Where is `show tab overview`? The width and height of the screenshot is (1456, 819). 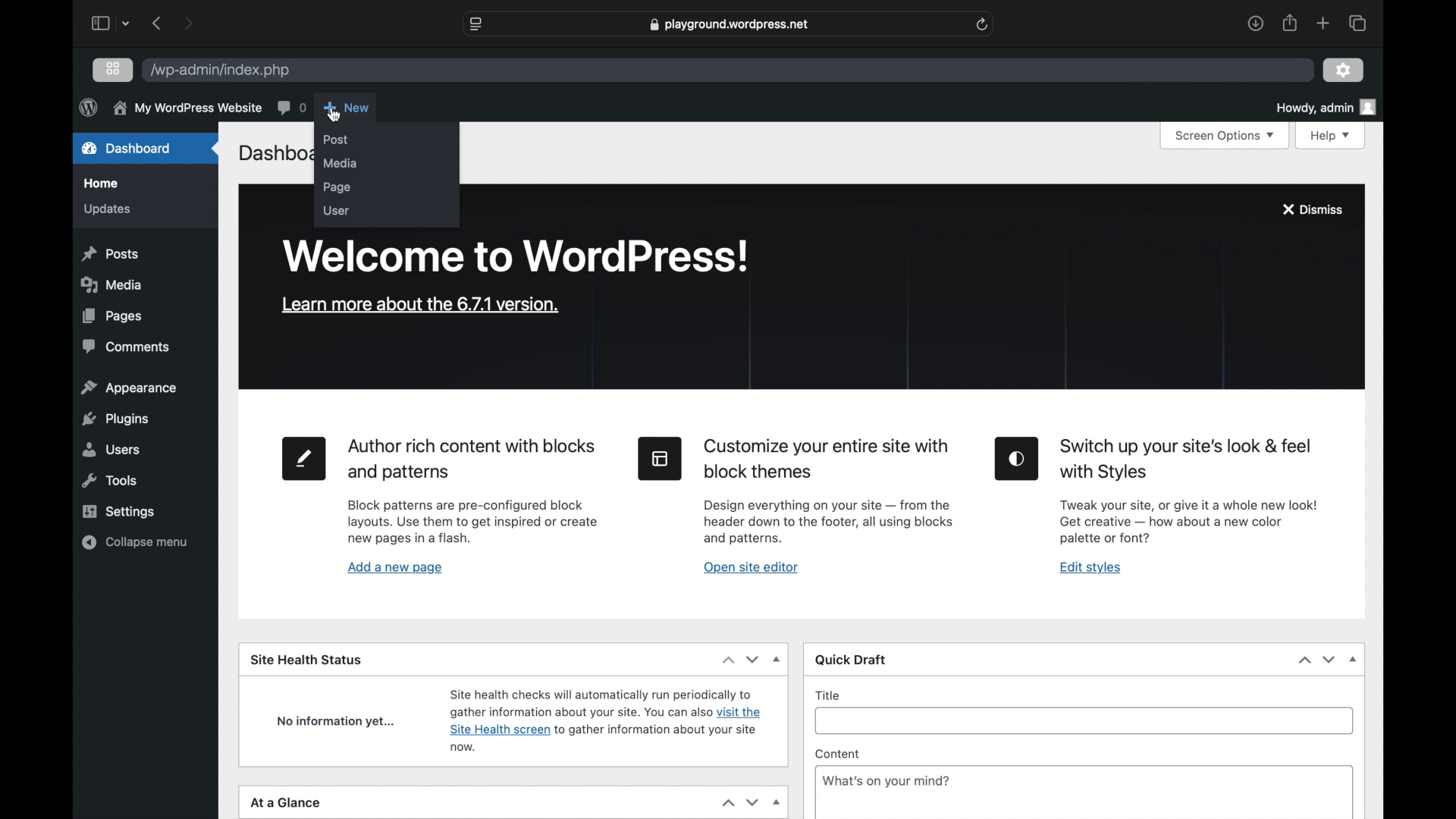
show tab overview is located at coordinates (1357, 23).